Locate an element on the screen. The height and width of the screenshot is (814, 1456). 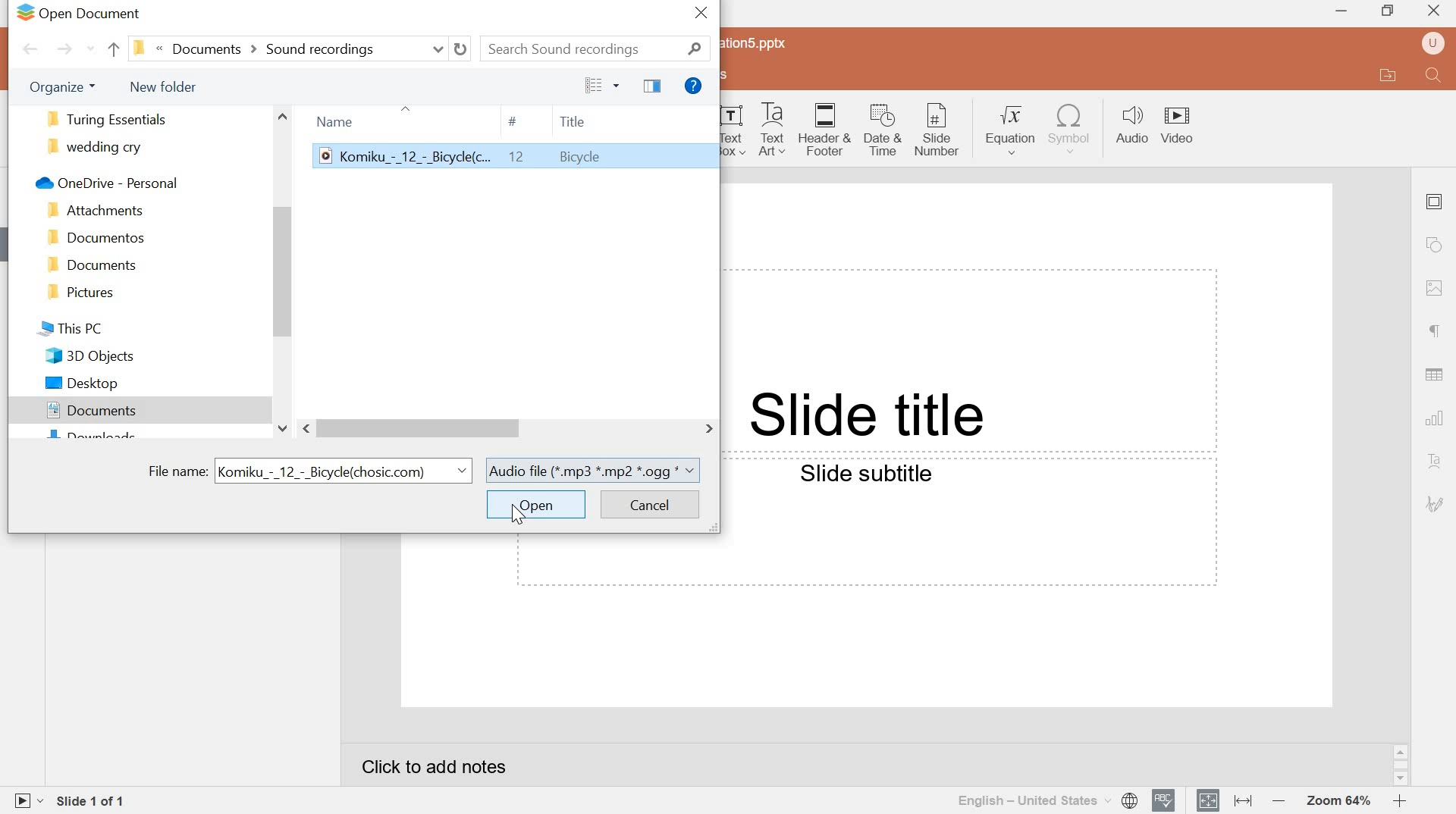
search sound recordings is located at coordinates (597, 49).